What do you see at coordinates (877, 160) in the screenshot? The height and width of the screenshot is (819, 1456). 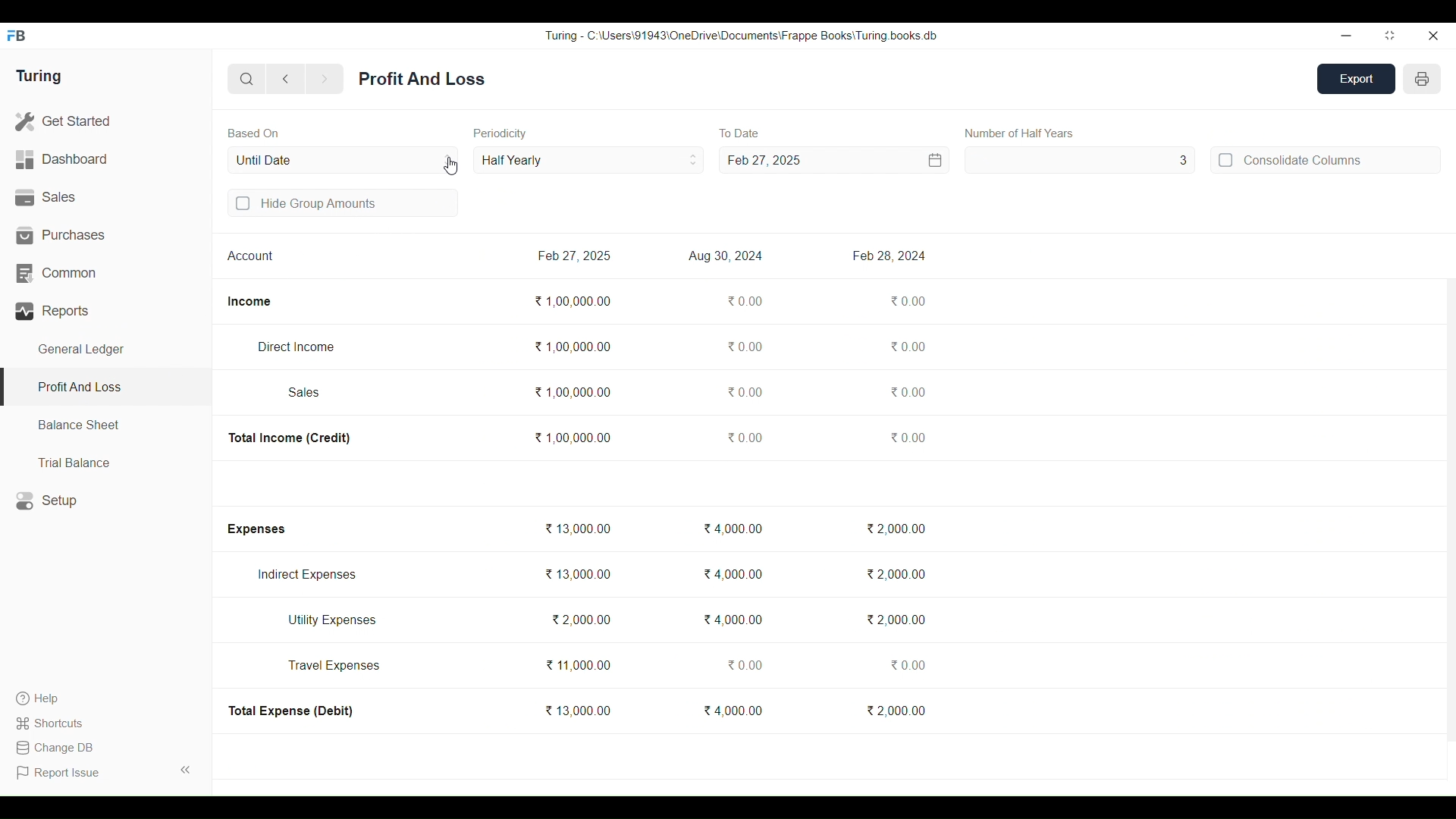 I see `Customize date` at bounding box center [877, 160].